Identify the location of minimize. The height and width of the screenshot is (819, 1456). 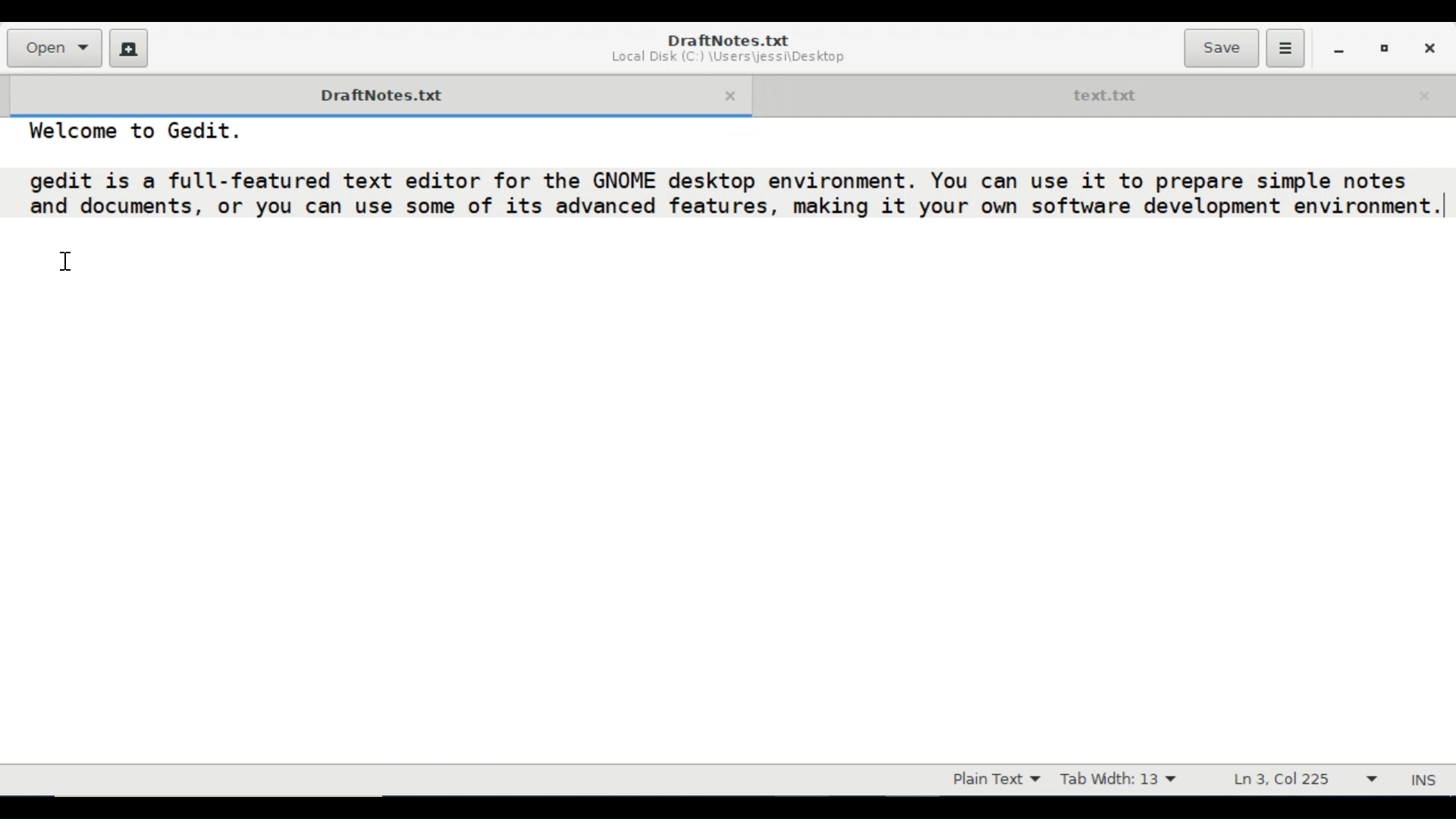
(1338, 48).